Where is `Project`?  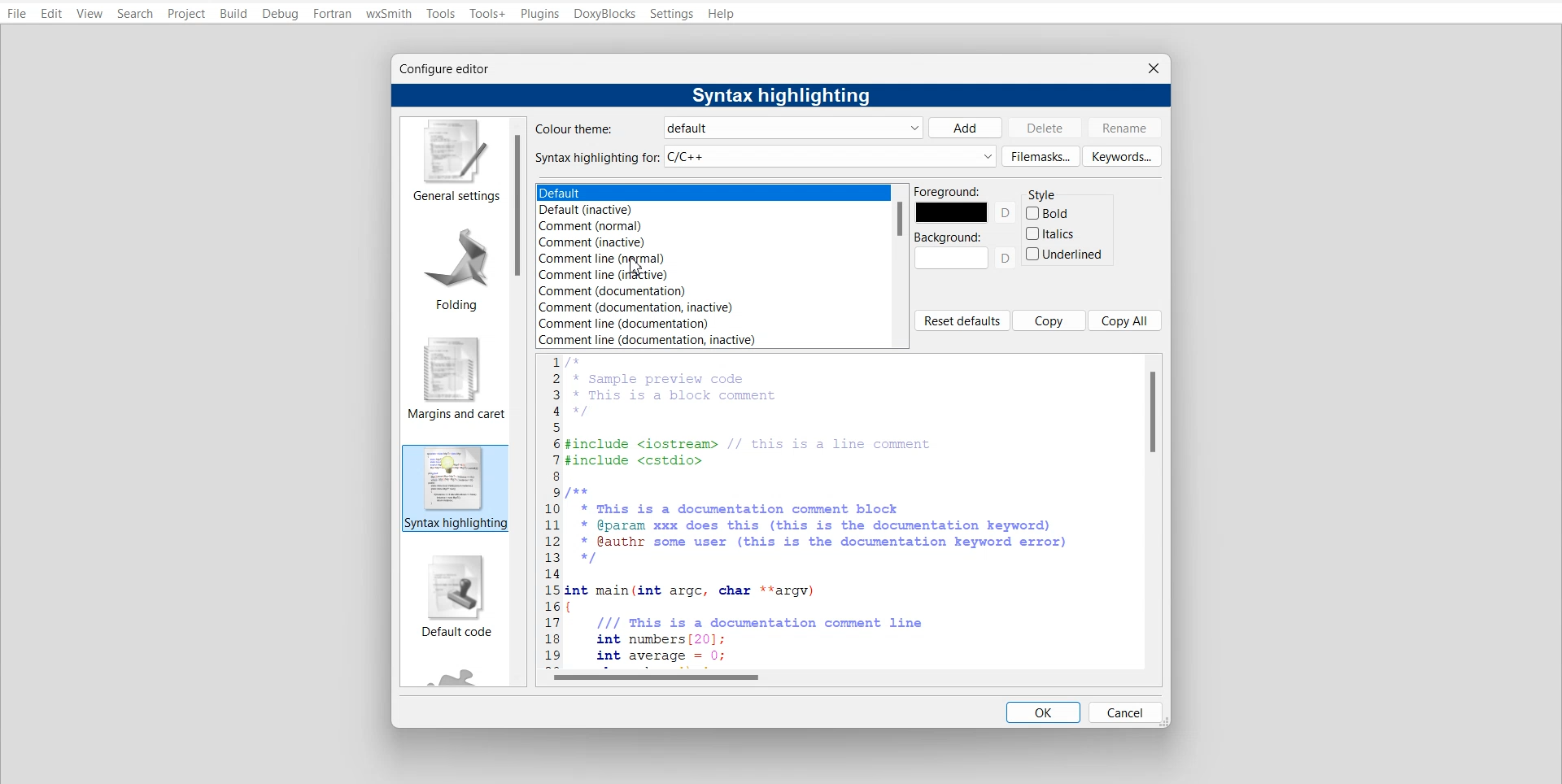
Project is located at coordinates (188, 13).